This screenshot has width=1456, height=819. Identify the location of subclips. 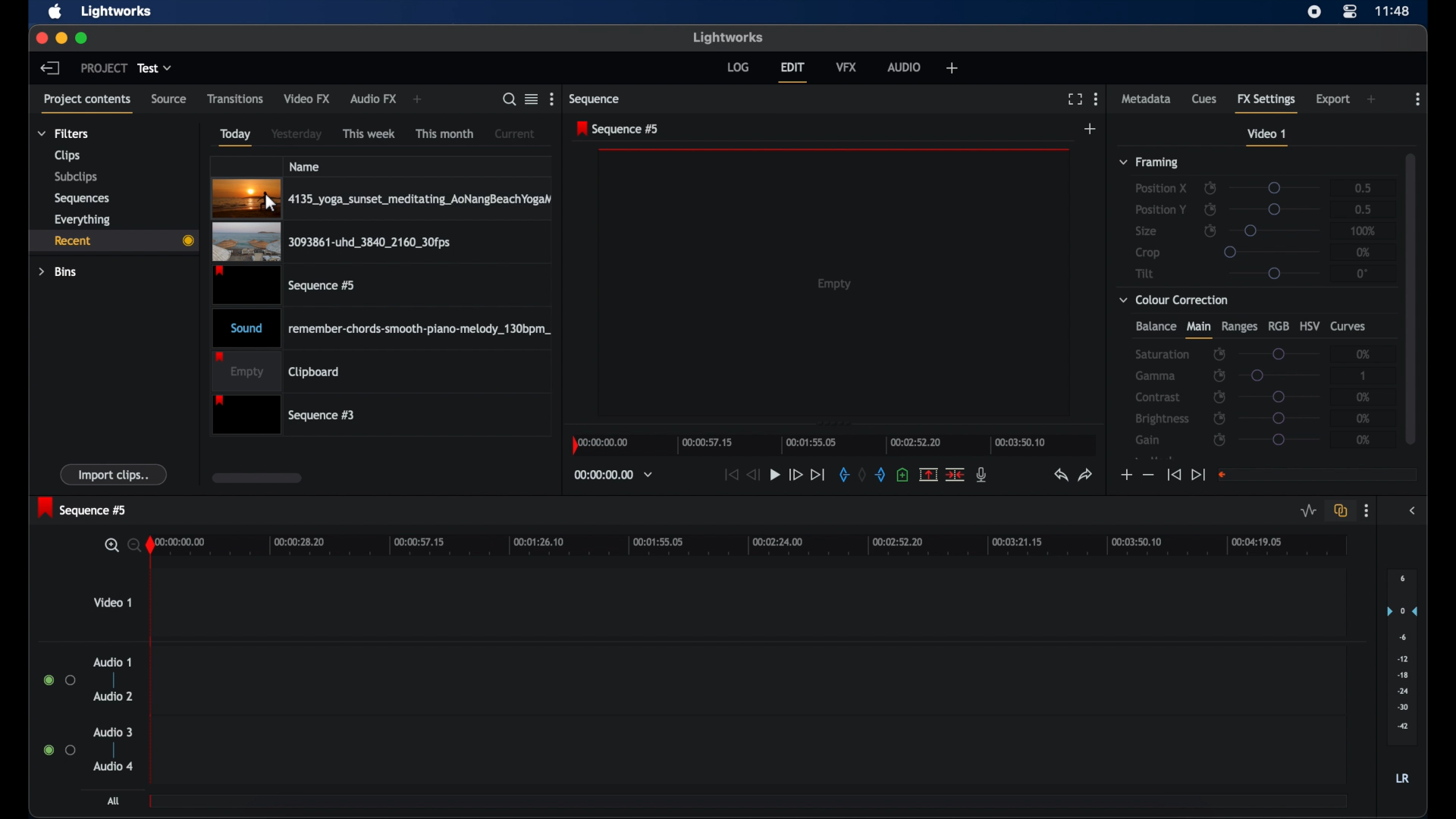
(74, 178).